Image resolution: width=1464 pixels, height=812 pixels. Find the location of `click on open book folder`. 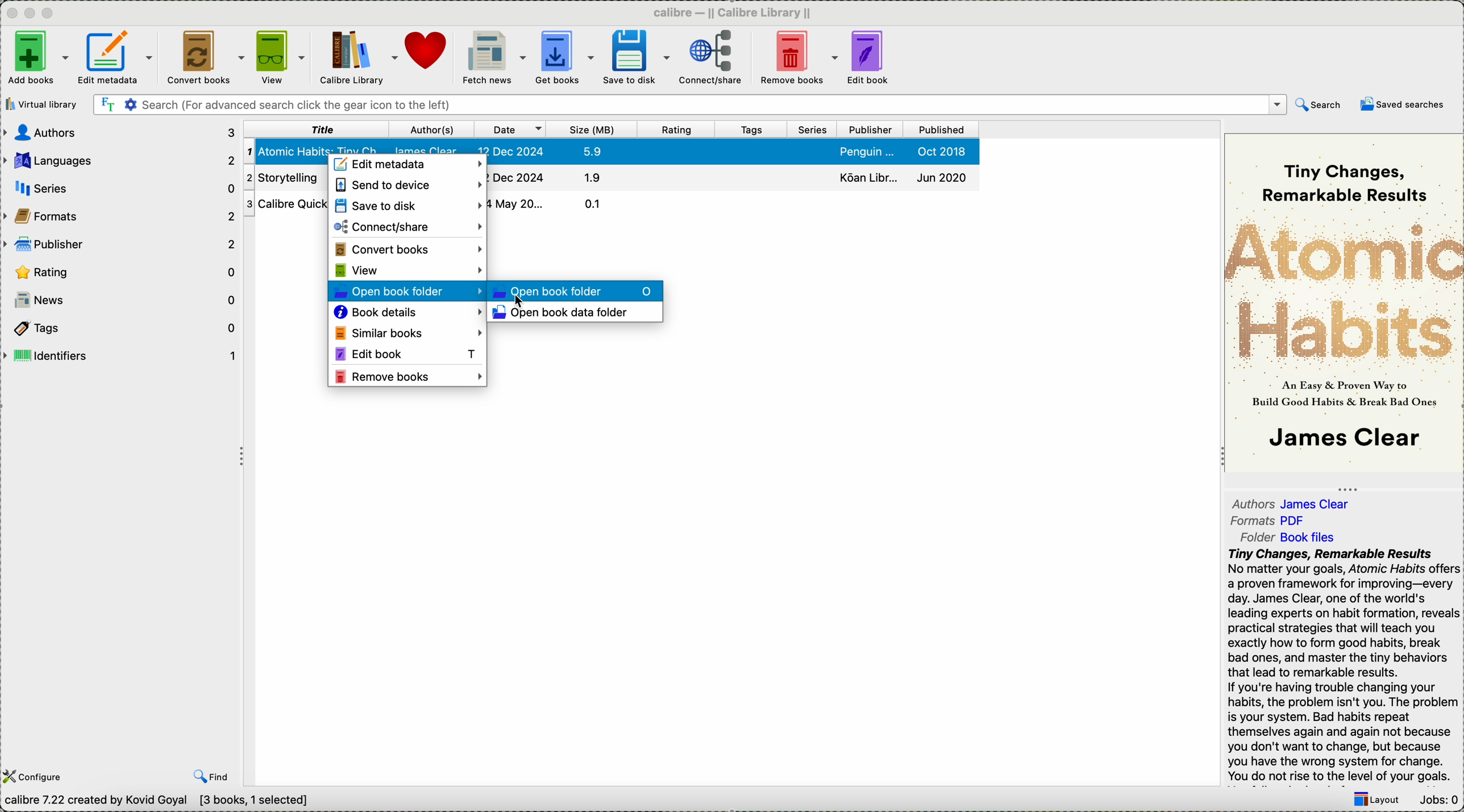

click on open book folder is located at coordinates (576, 290).